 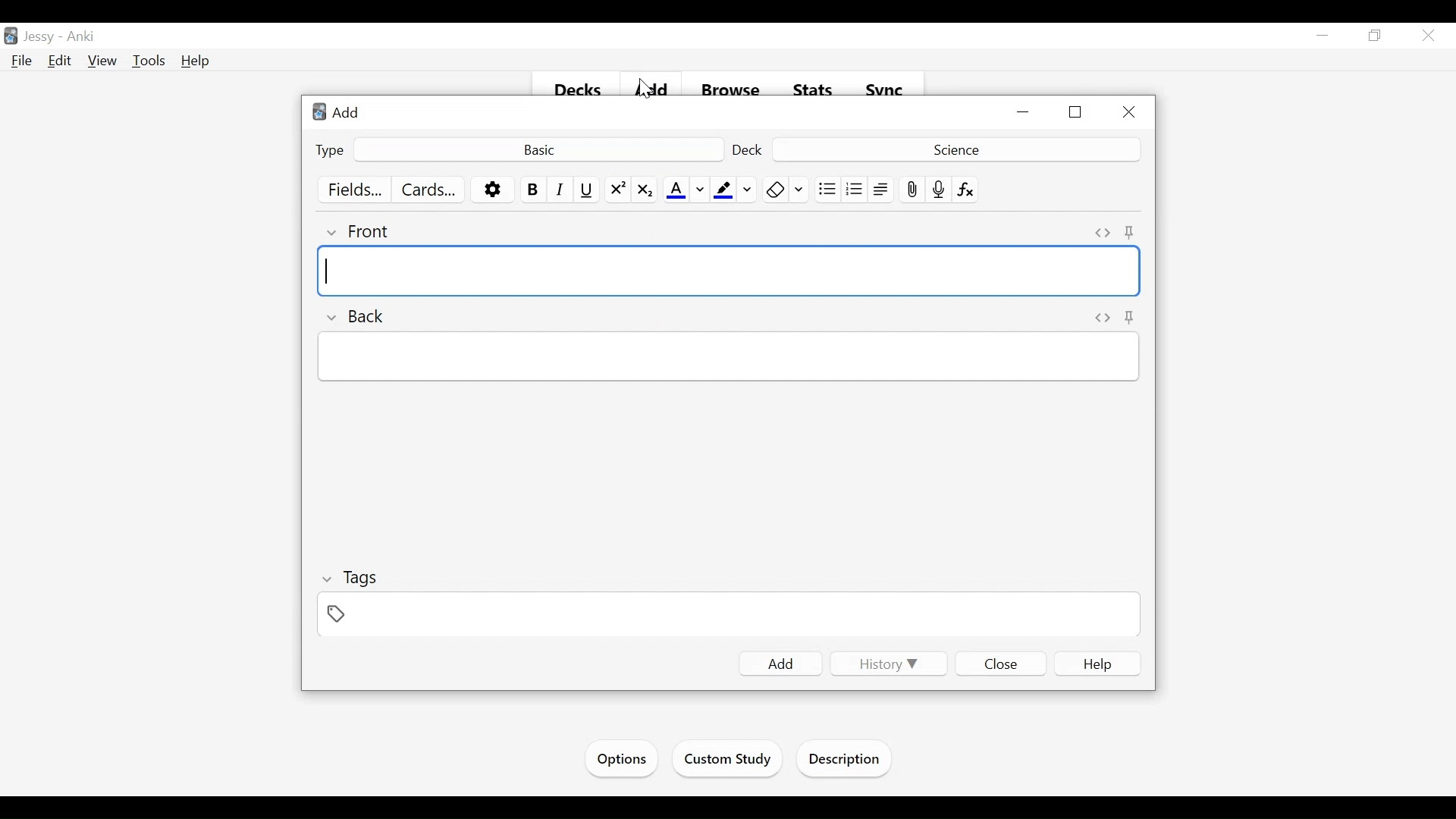 I want to click on Browse, so click(x=733, y=91).